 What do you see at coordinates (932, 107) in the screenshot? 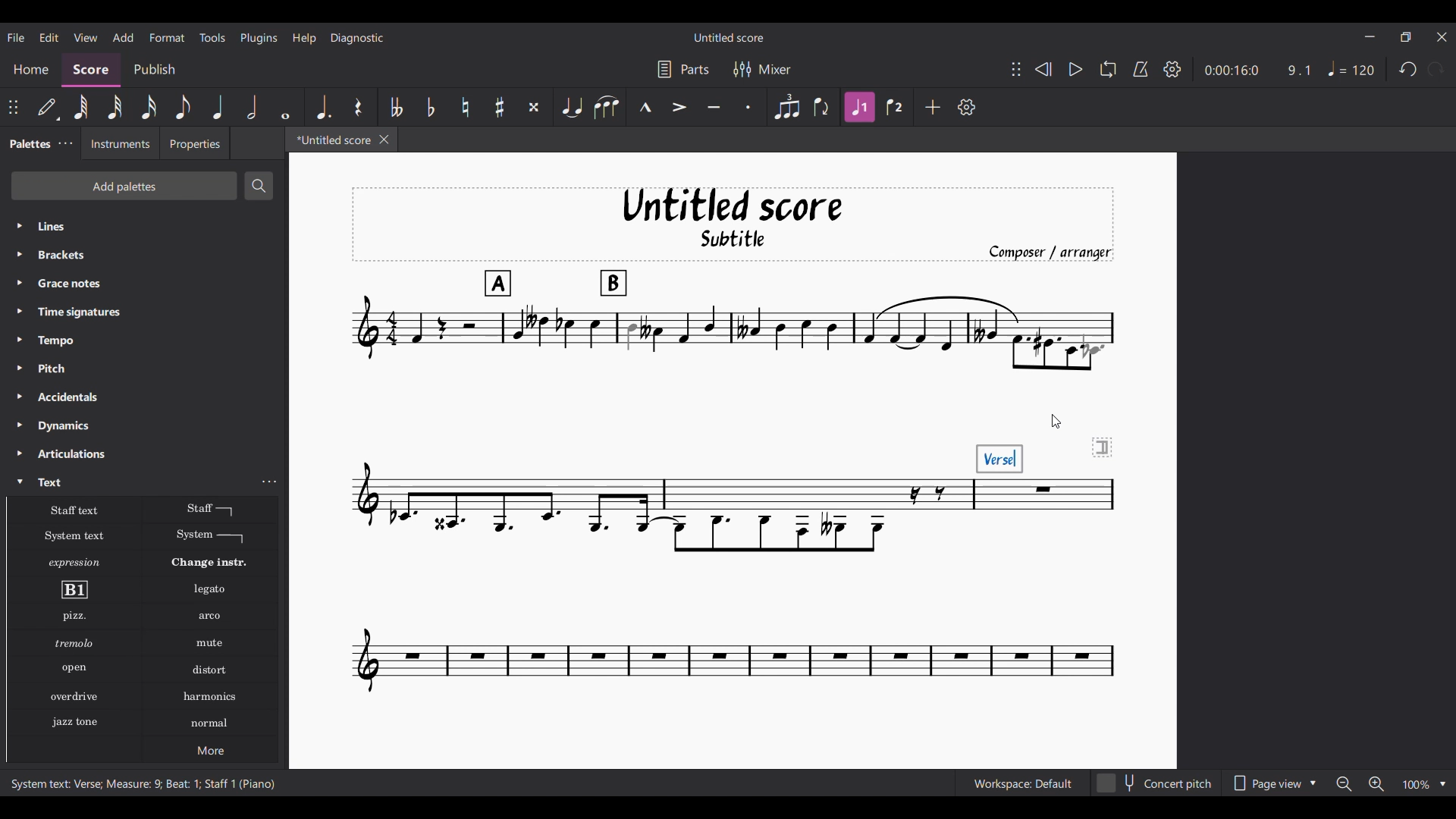
I see `Add` at bounding box center [932, 107].